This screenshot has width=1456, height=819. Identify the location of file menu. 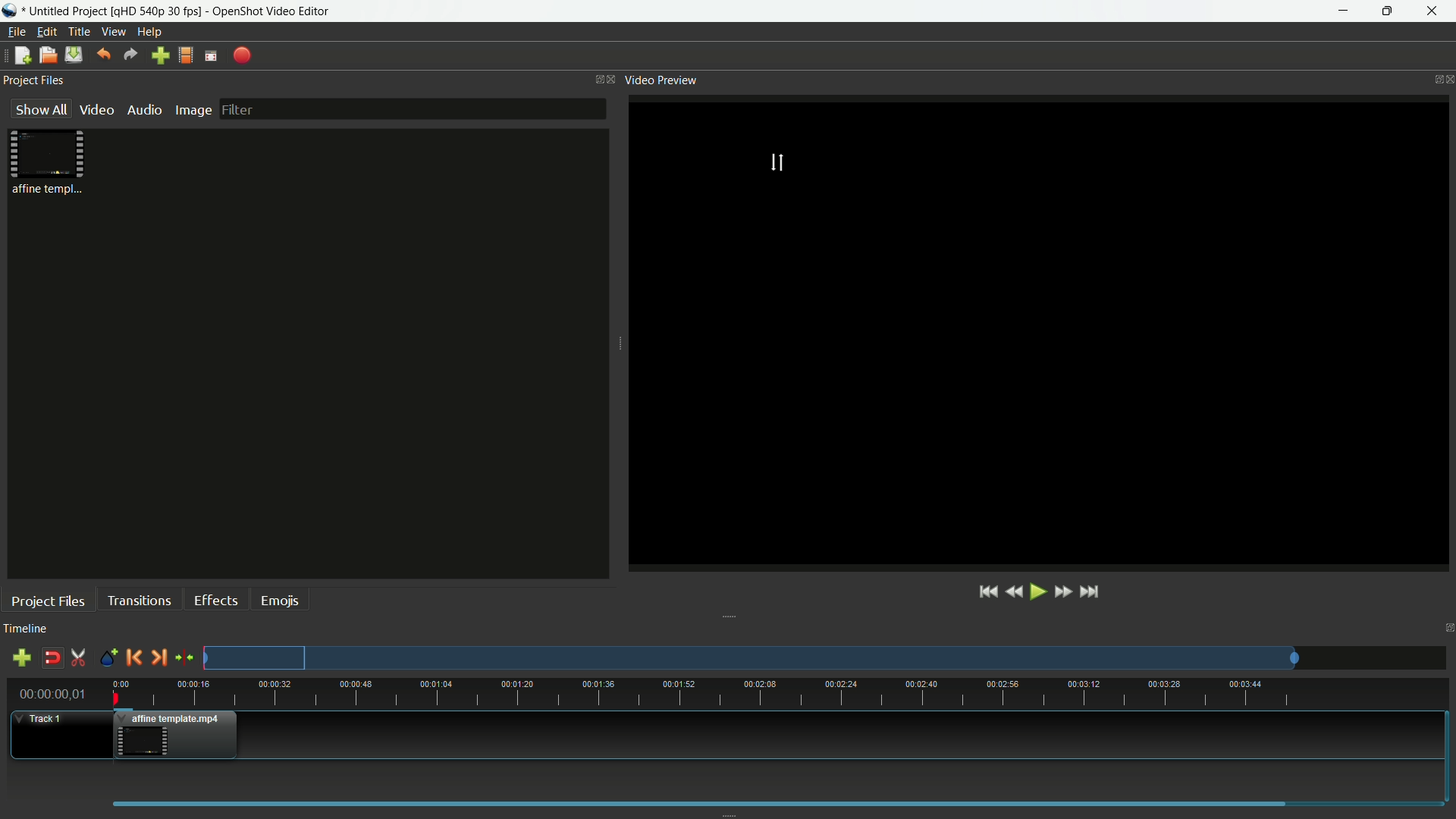
(16, 32).